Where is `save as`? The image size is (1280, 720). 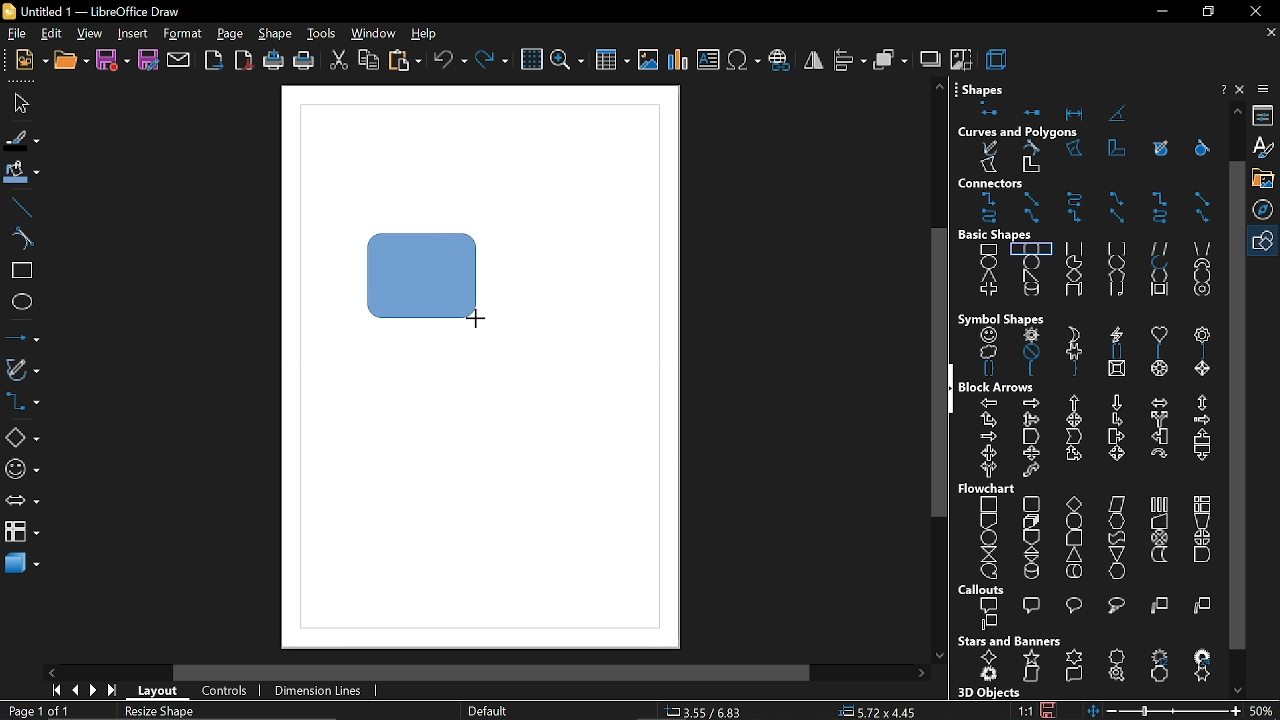 save as is located at coordinates (149, 61).